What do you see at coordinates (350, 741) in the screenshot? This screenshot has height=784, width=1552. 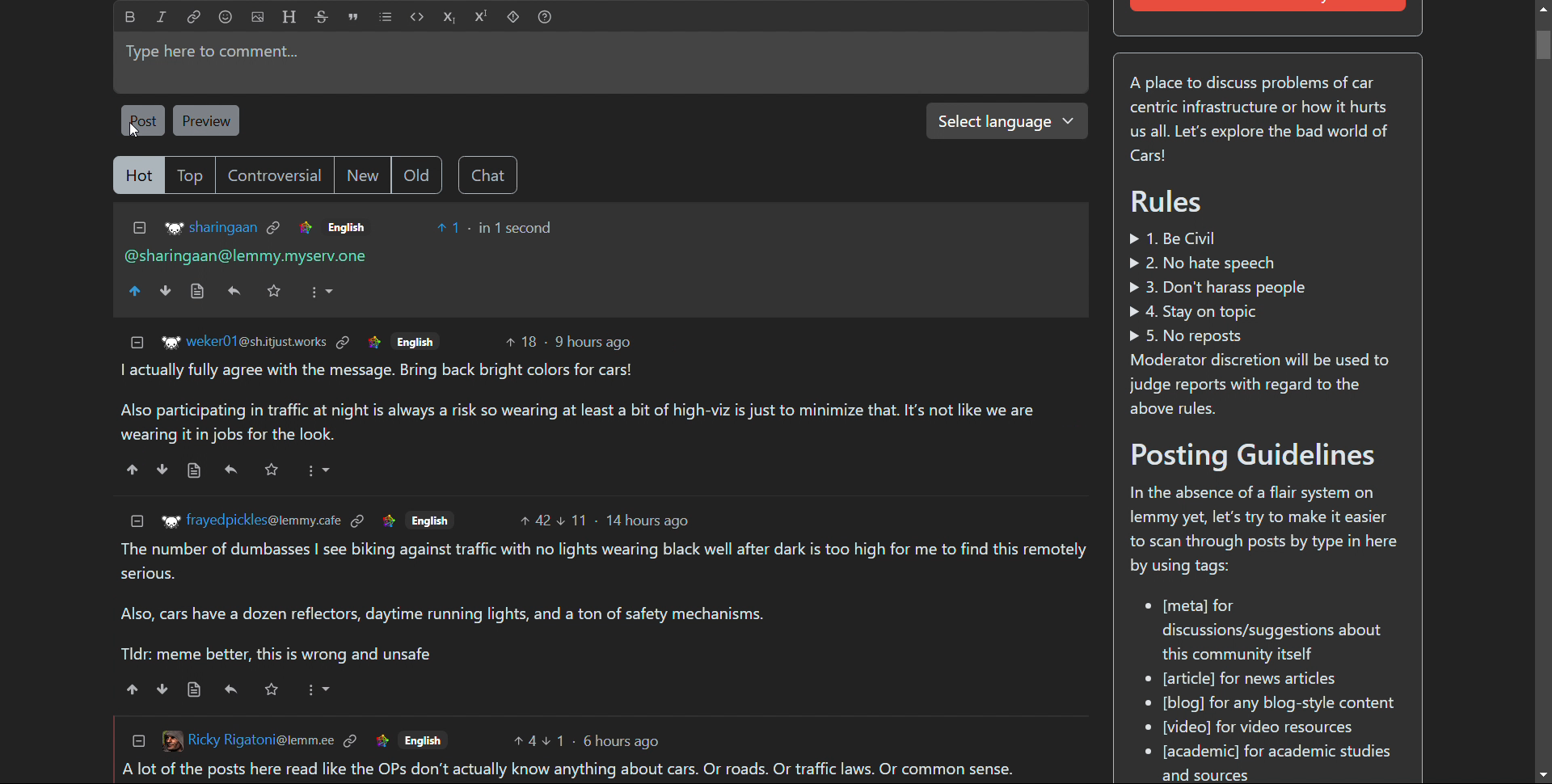 I see `Link` at bounding box center [350, 741].